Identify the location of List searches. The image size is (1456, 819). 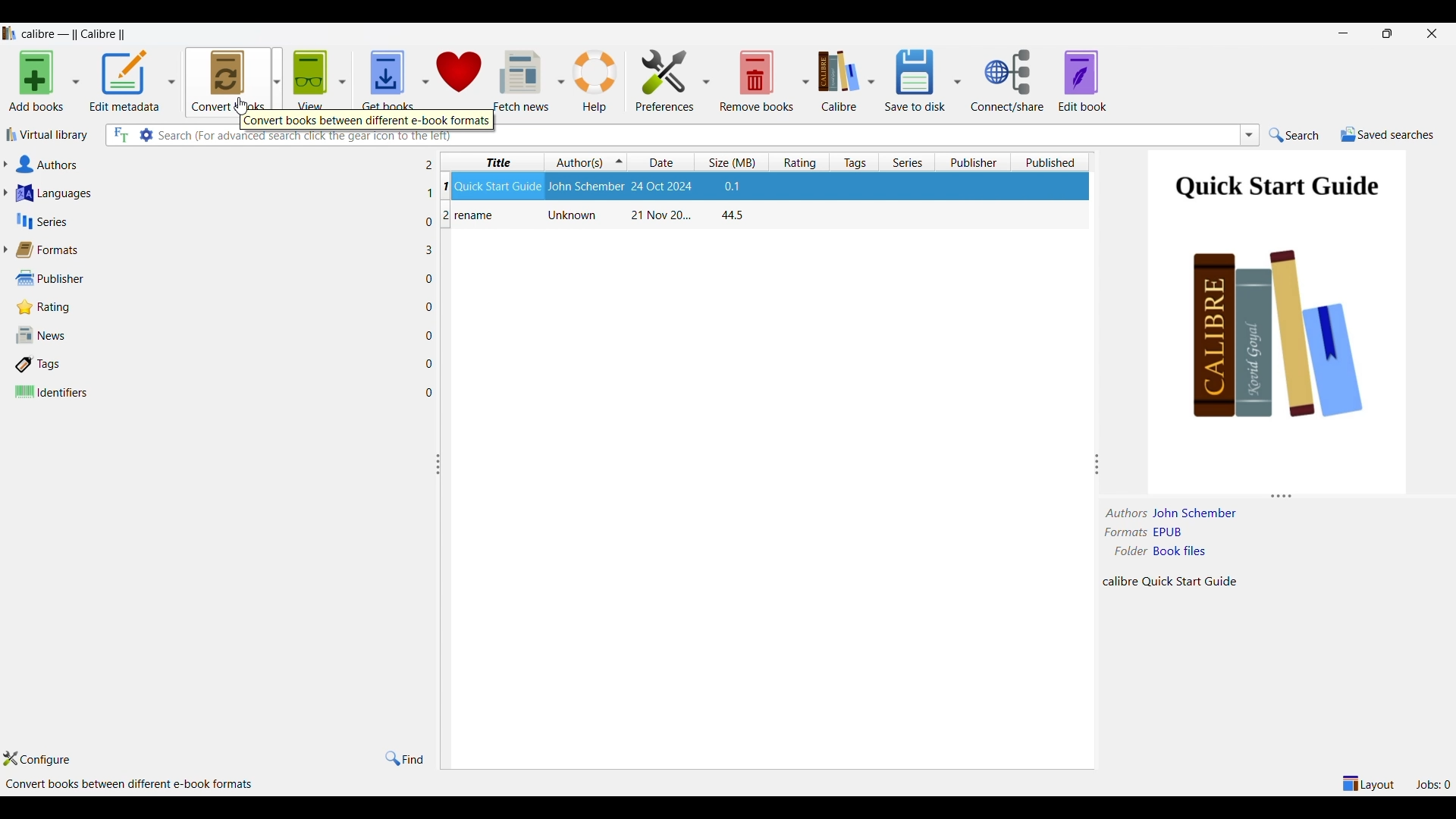
(1250, 135).